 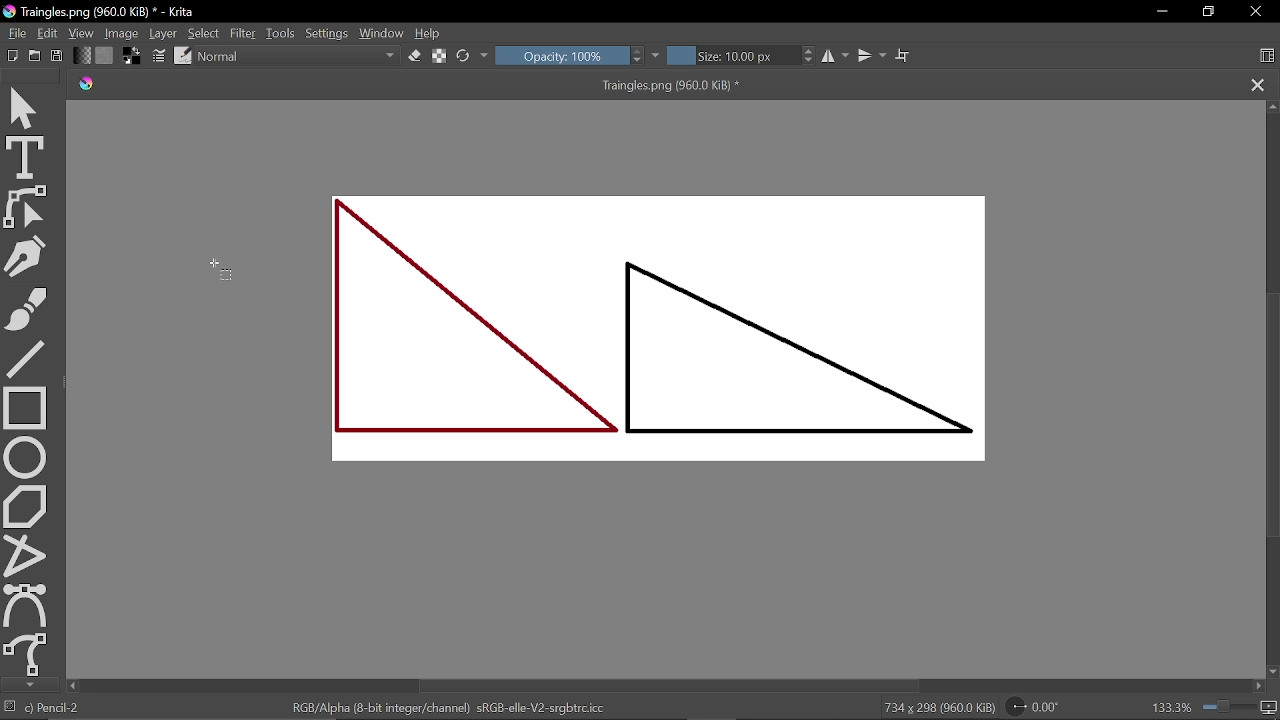 I want to click on Filter, so click(x=245, y=32).